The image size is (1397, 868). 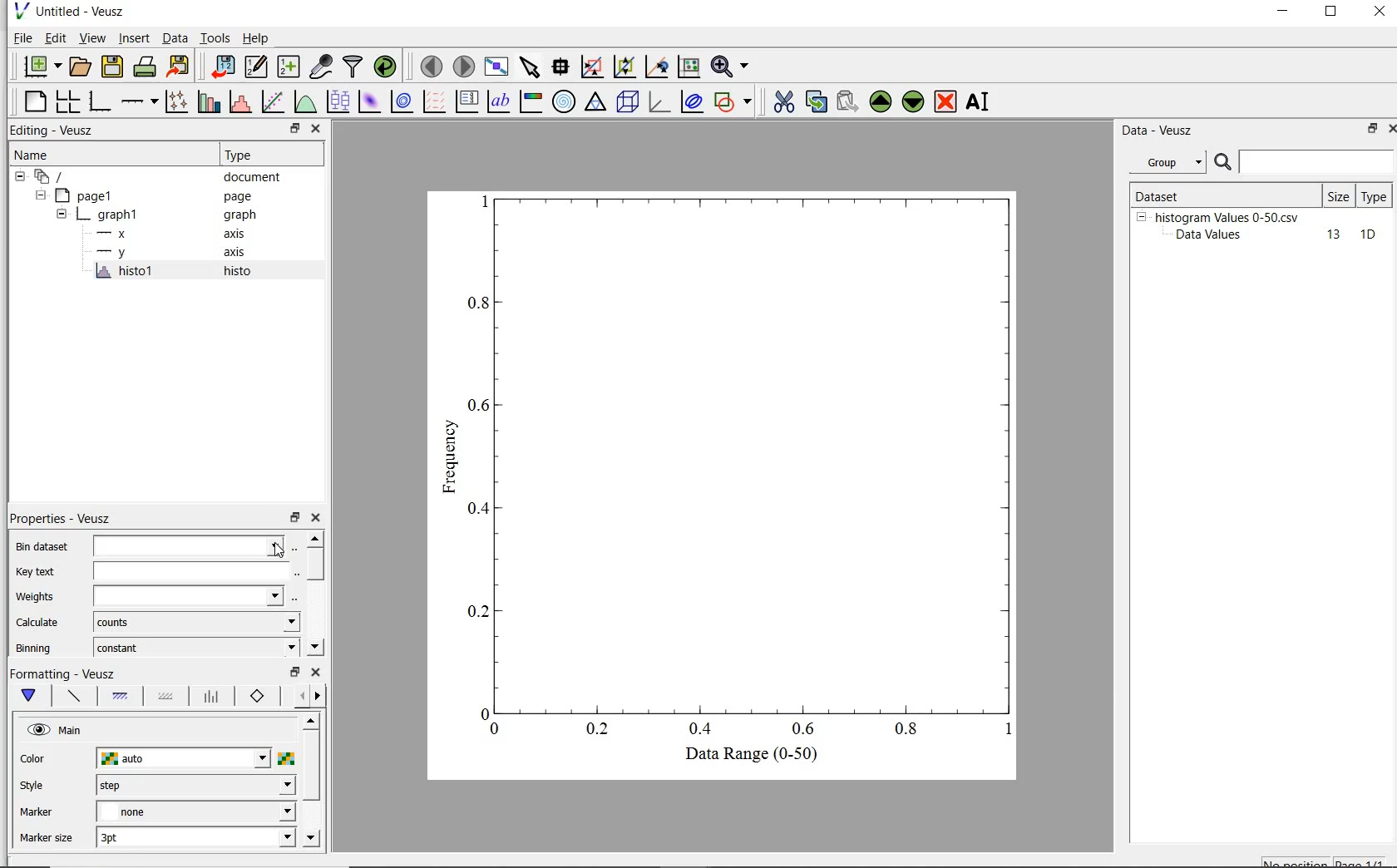 I want to click on edit, so click(x=56, y=37).